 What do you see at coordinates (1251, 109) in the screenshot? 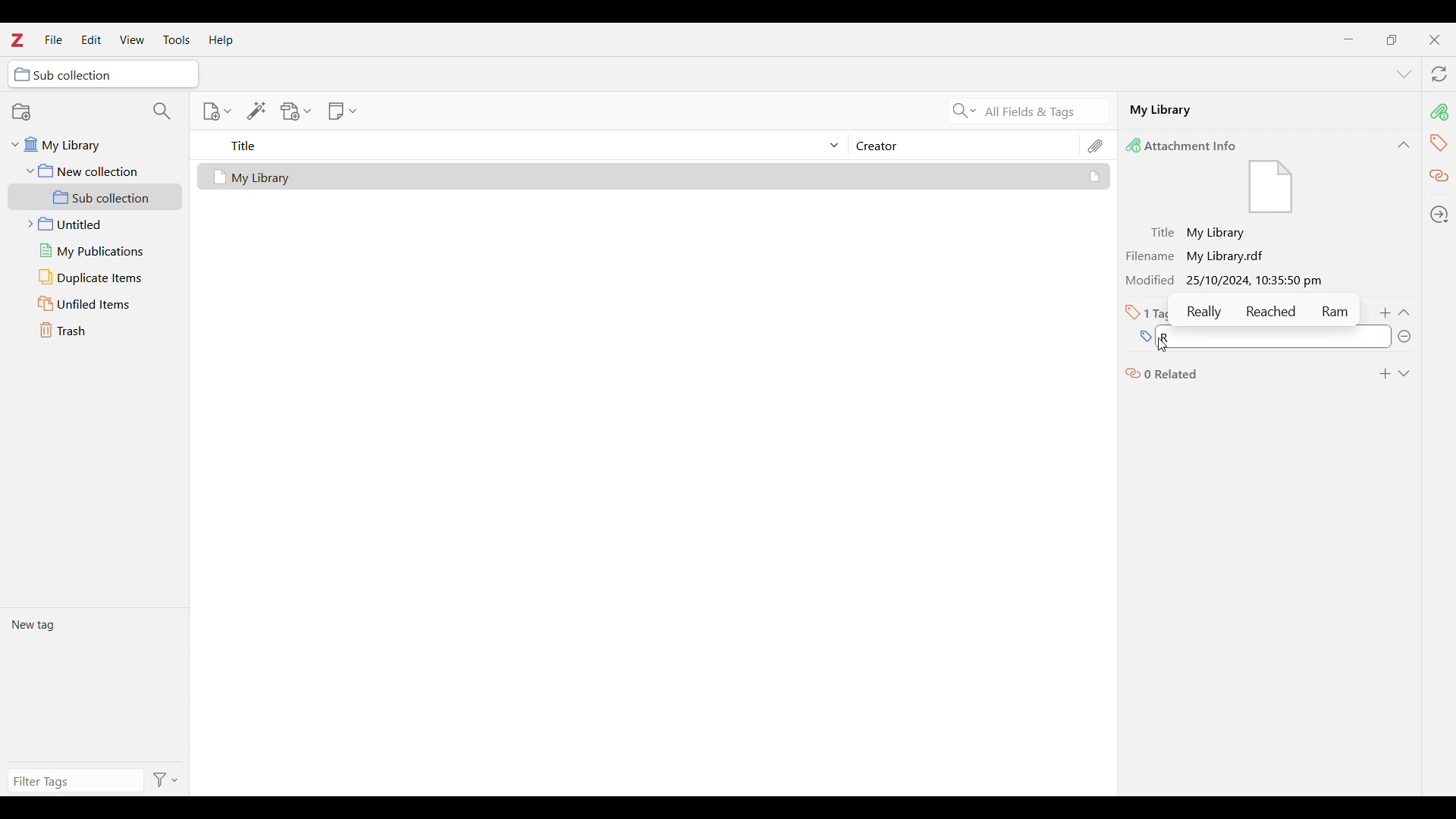
I see `Name of selected file` at bounding box center [1251, 109].